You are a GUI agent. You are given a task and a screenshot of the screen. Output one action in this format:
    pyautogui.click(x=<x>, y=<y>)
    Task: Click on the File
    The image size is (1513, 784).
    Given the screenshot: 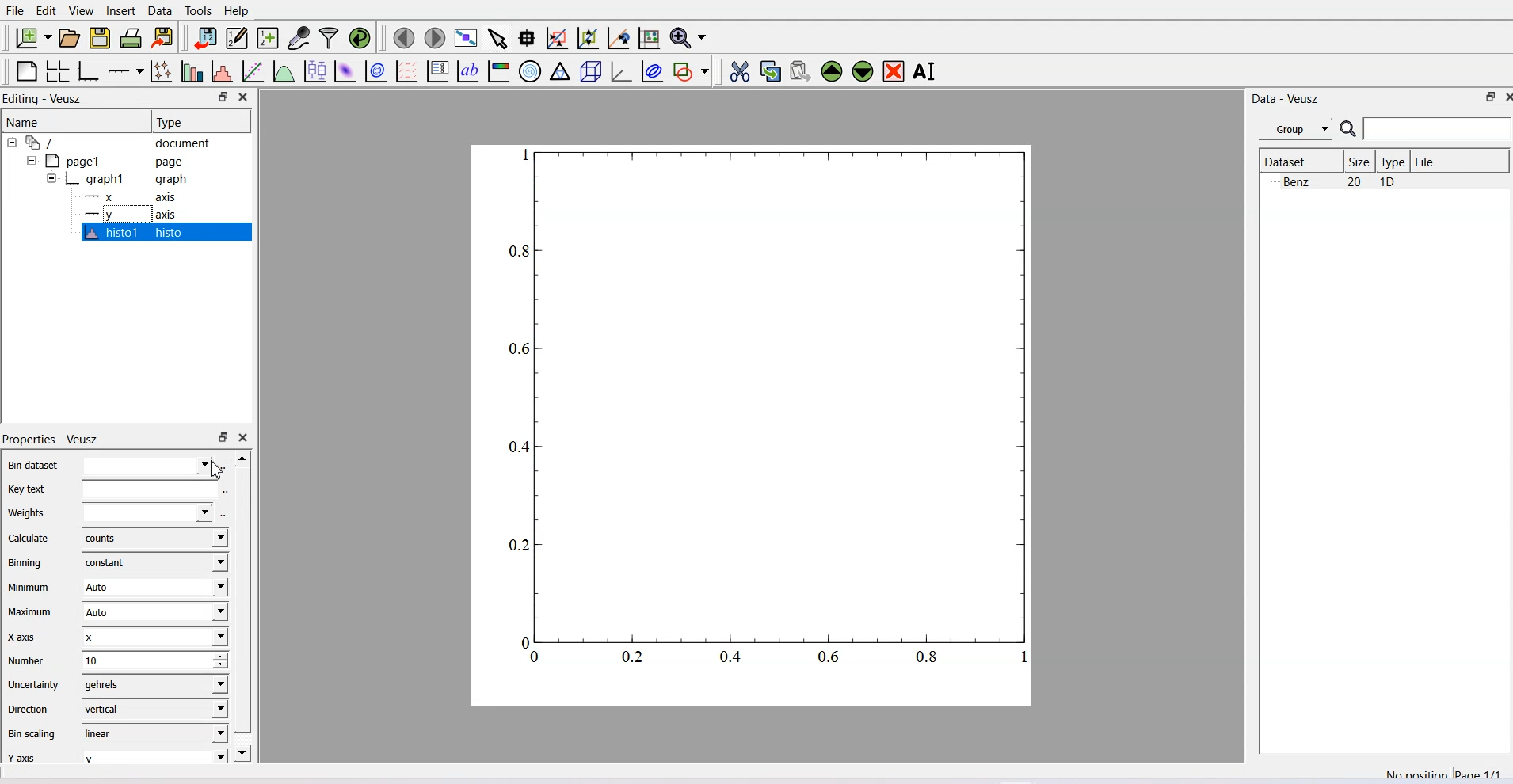 What is the action you would take?
    pyautogui.click(x=15, y=10)
    